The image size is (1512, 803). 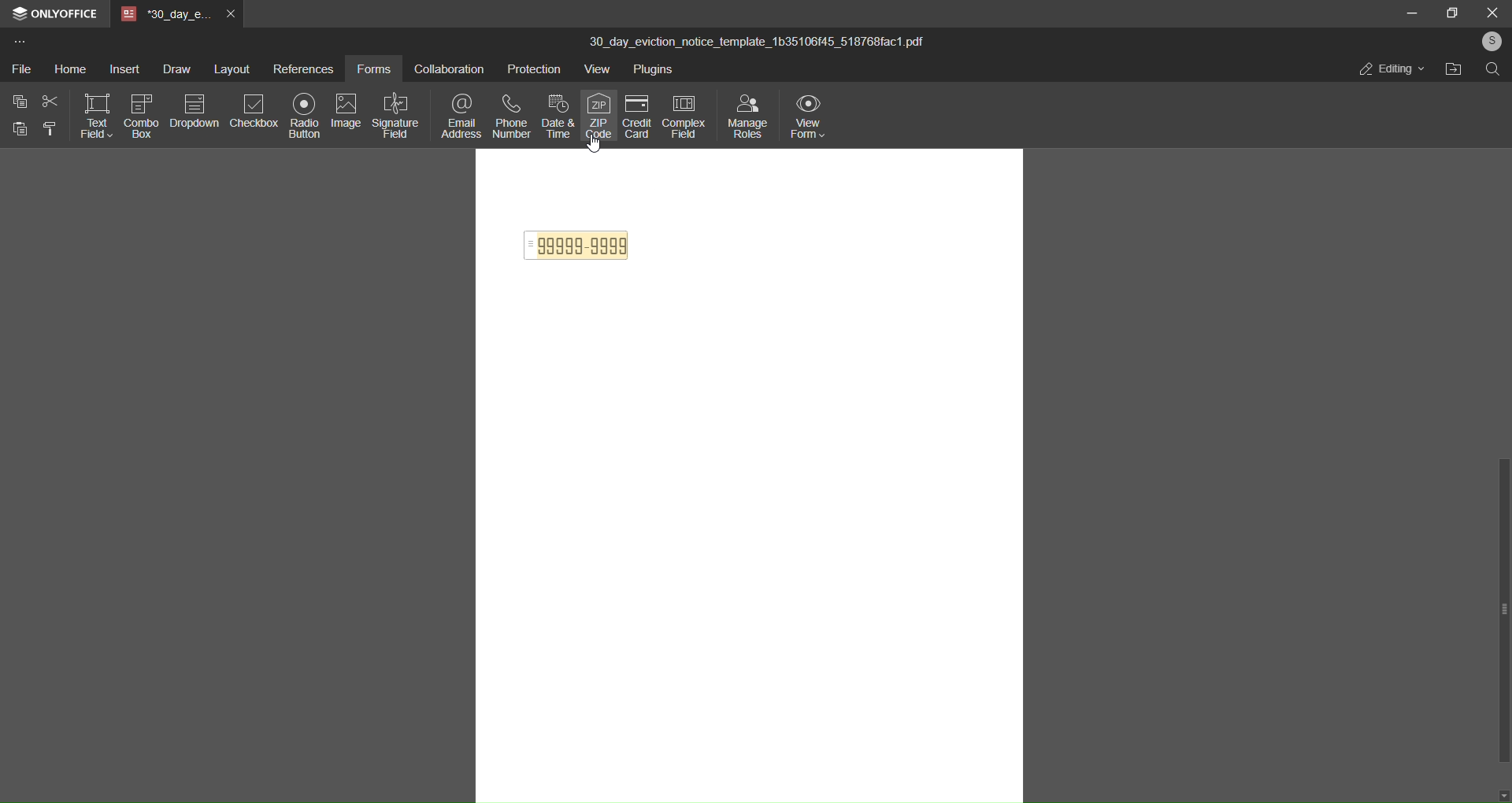 I want to click on date and time, so click(x=555, y=115).